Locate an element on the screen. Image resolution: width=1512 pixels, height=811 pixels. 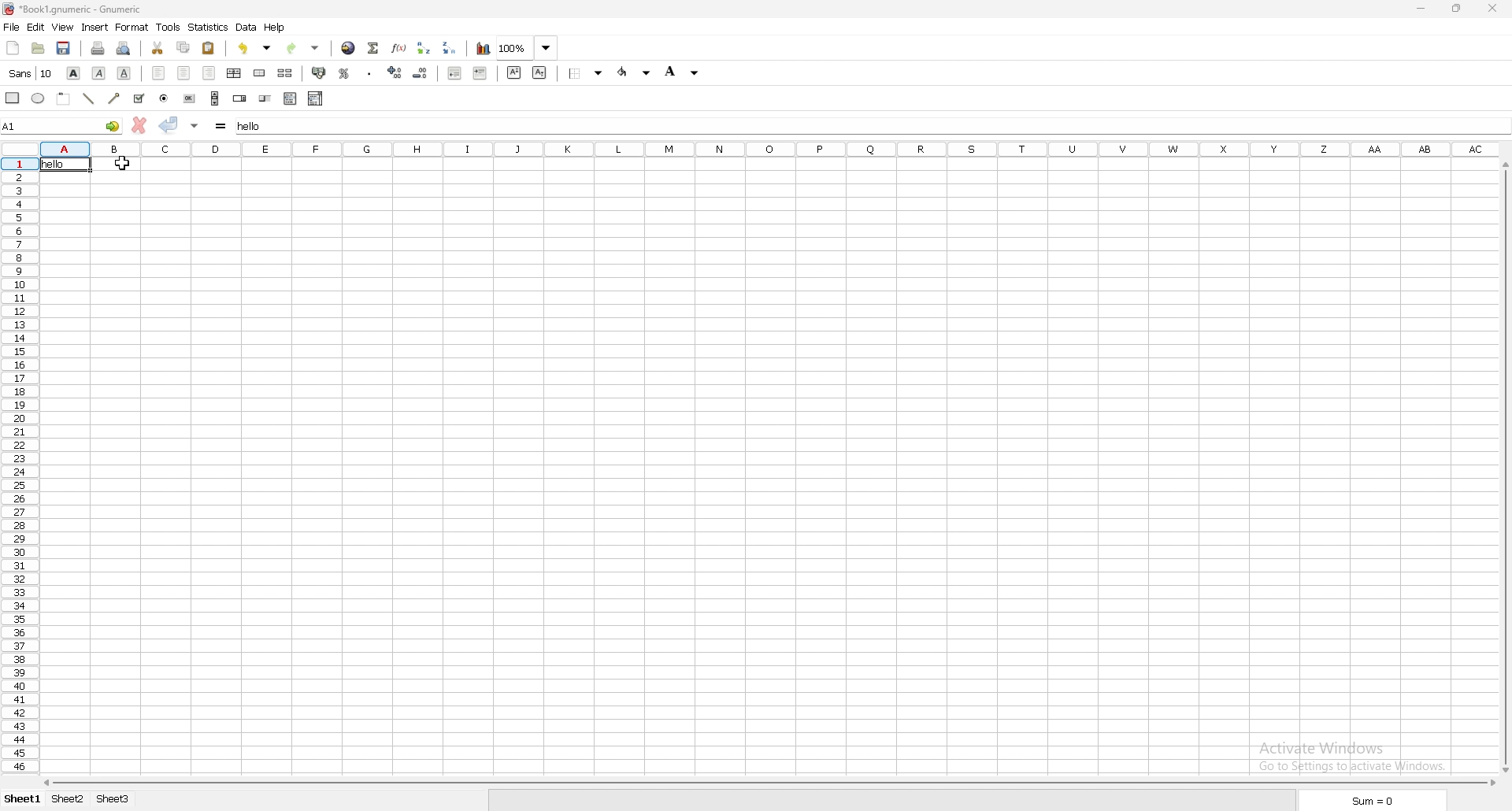
zoom is located at coordinates (526, 49).